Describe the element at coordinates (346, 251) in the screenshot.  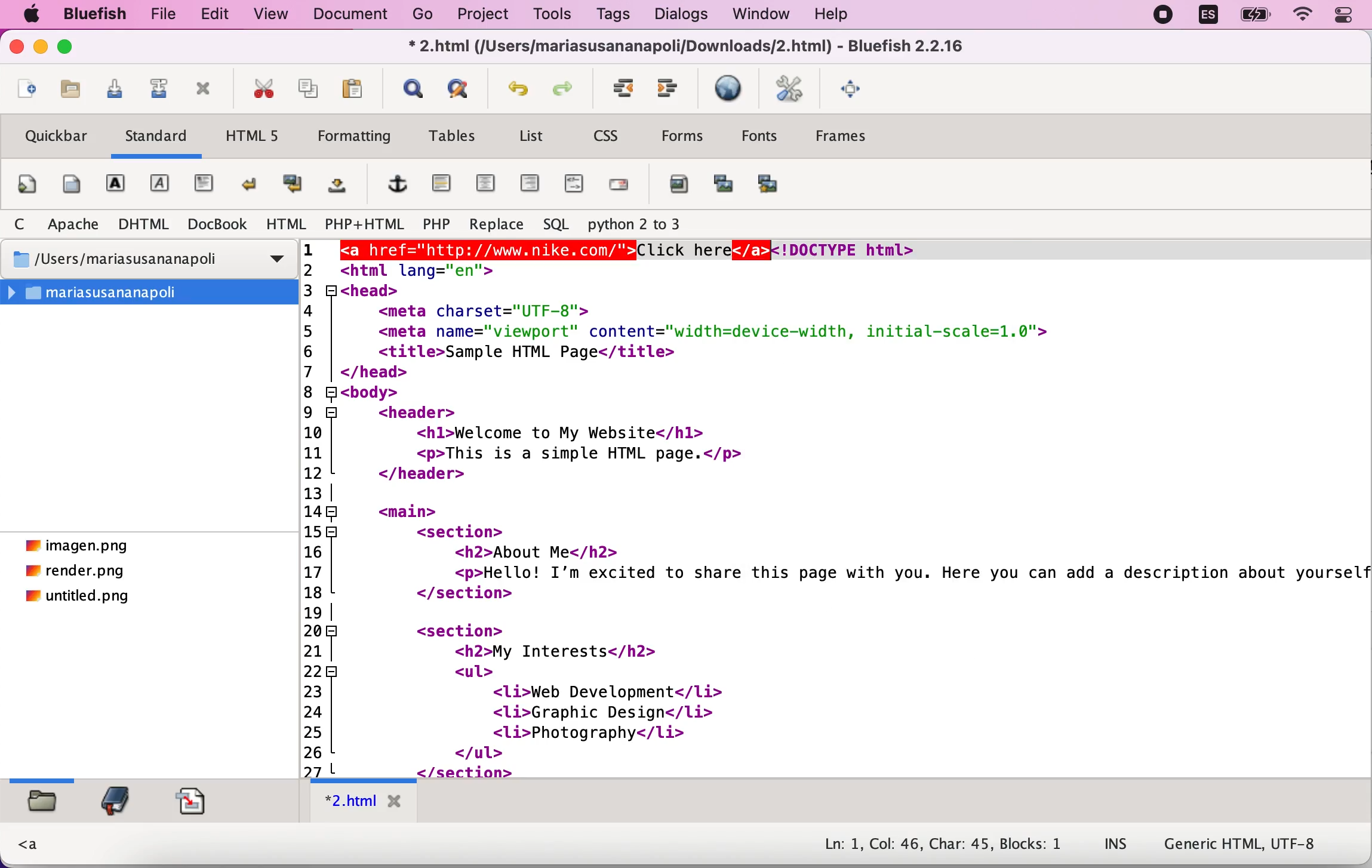
I see `cursor` at that location.